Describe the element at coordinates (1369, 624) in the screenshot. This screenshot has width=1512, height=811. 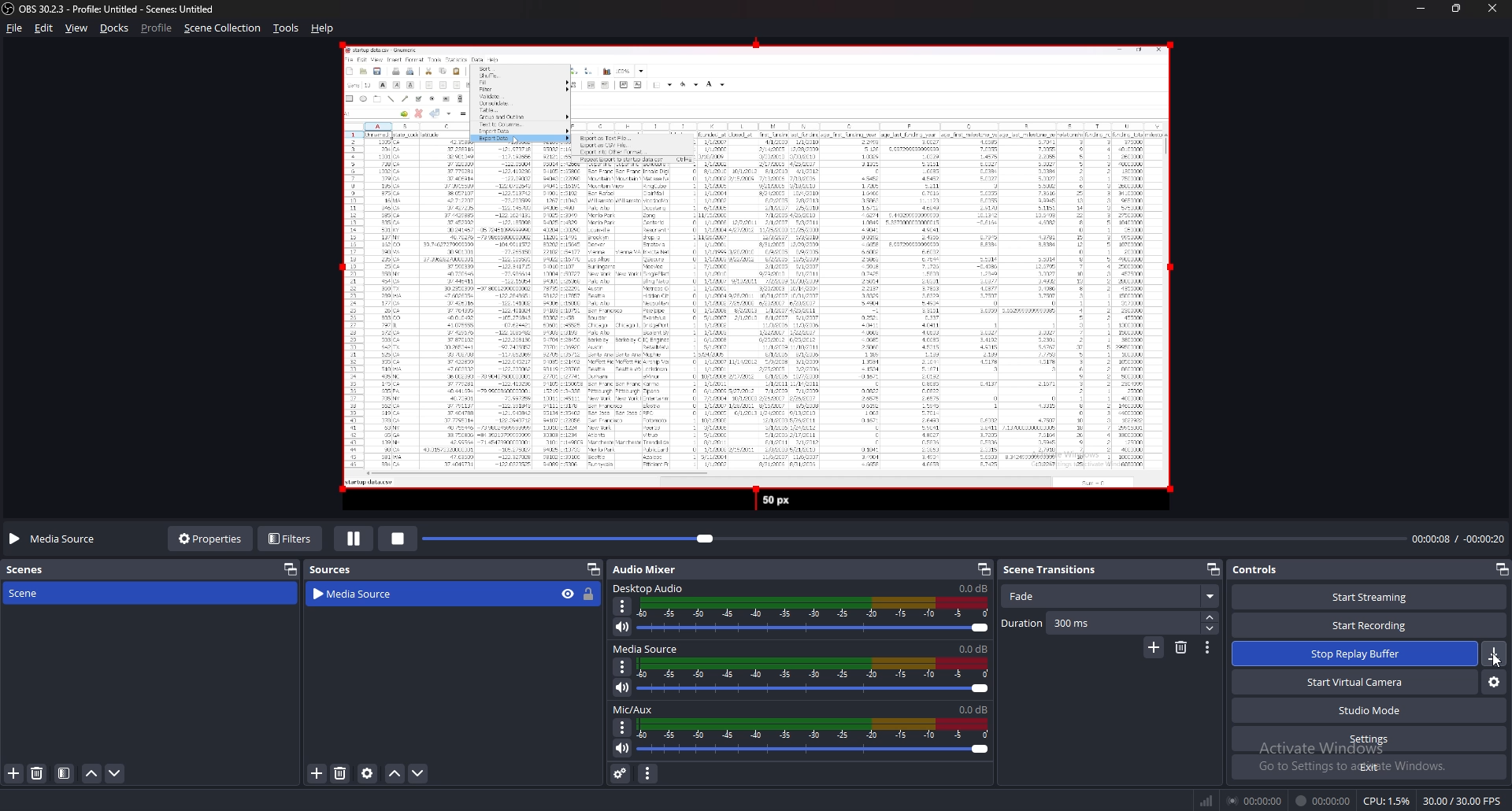
I see `start recording` at that location.